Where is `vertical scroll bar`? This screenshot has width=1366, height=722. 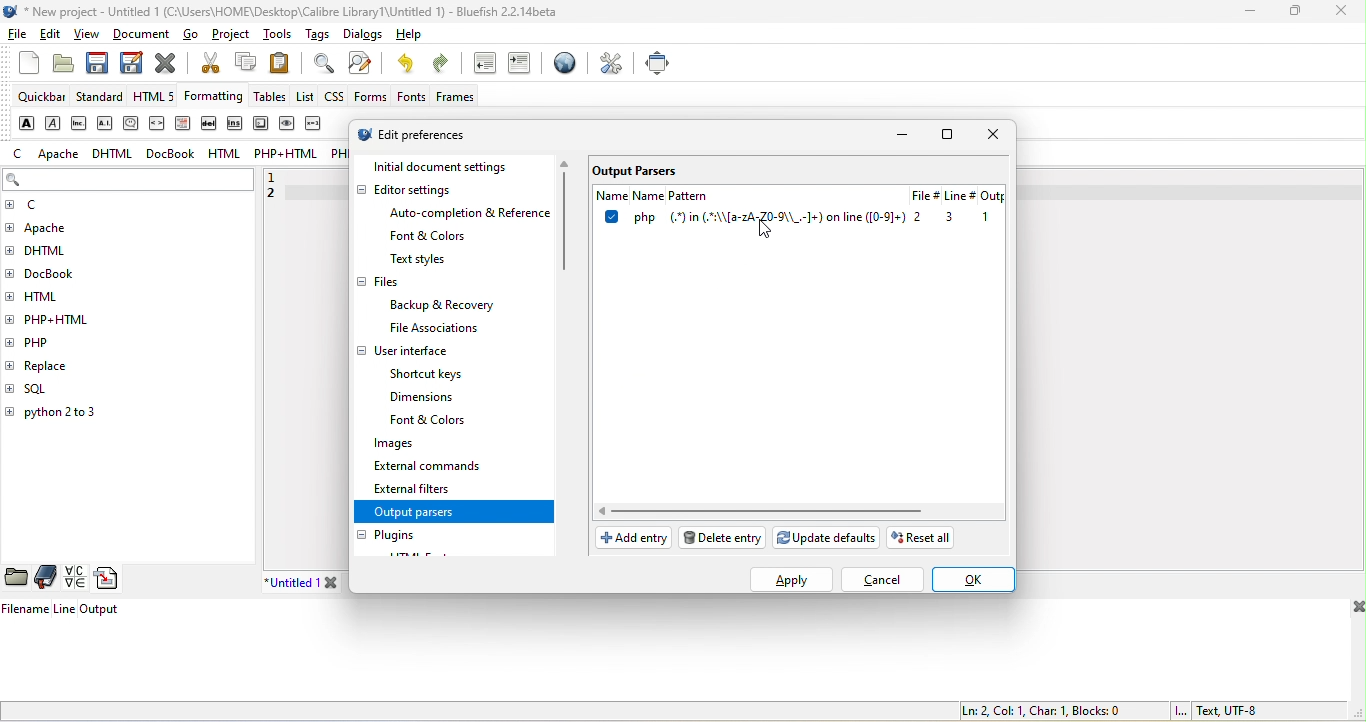
vertical scroll bar is located at coordinates (566, 218).